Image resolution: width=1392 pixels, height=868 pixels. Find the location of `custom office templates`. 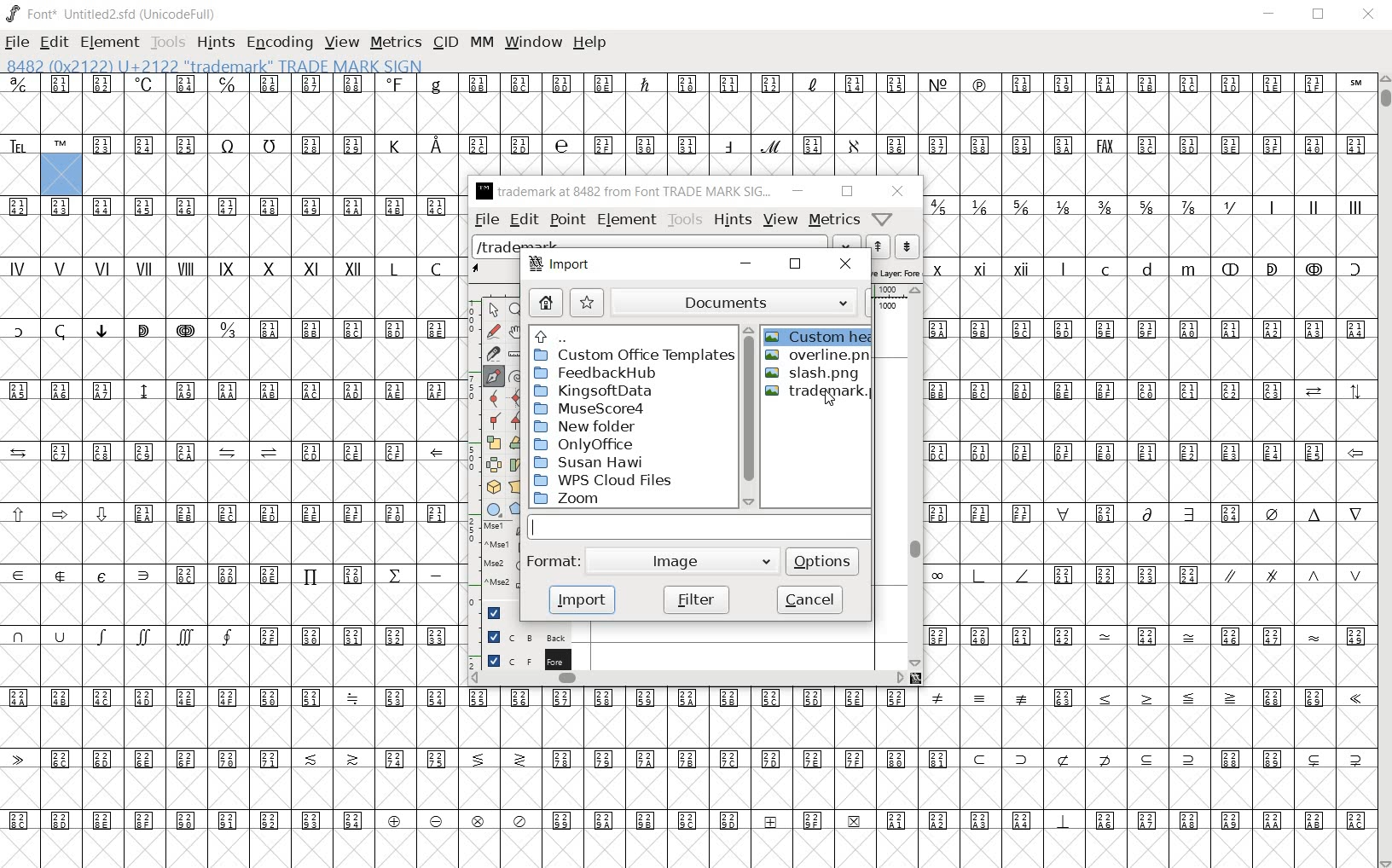

custom office templates is located at coordinates (635, 355).